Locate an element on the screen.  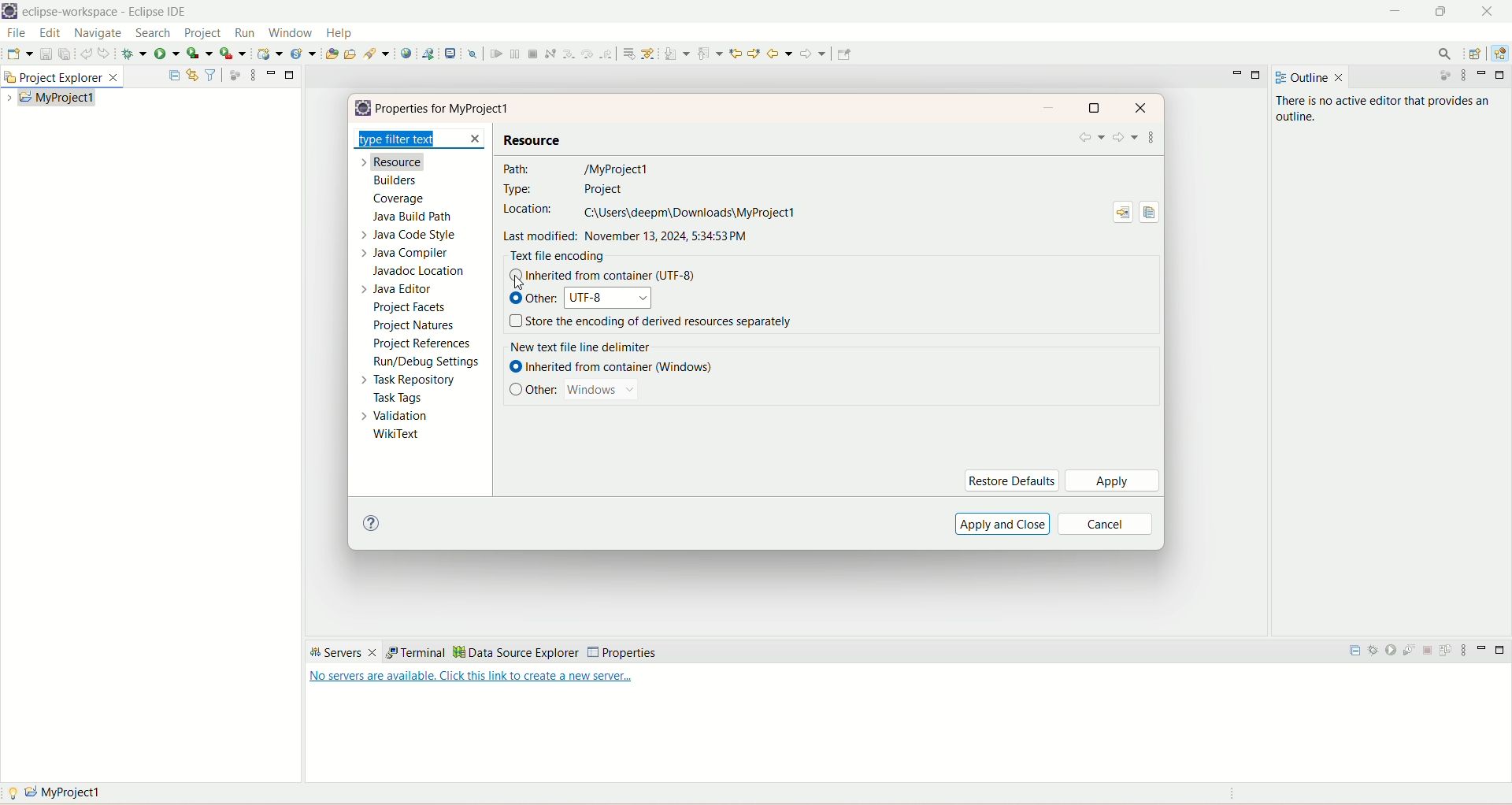
help is located at coordinates (369, 523).